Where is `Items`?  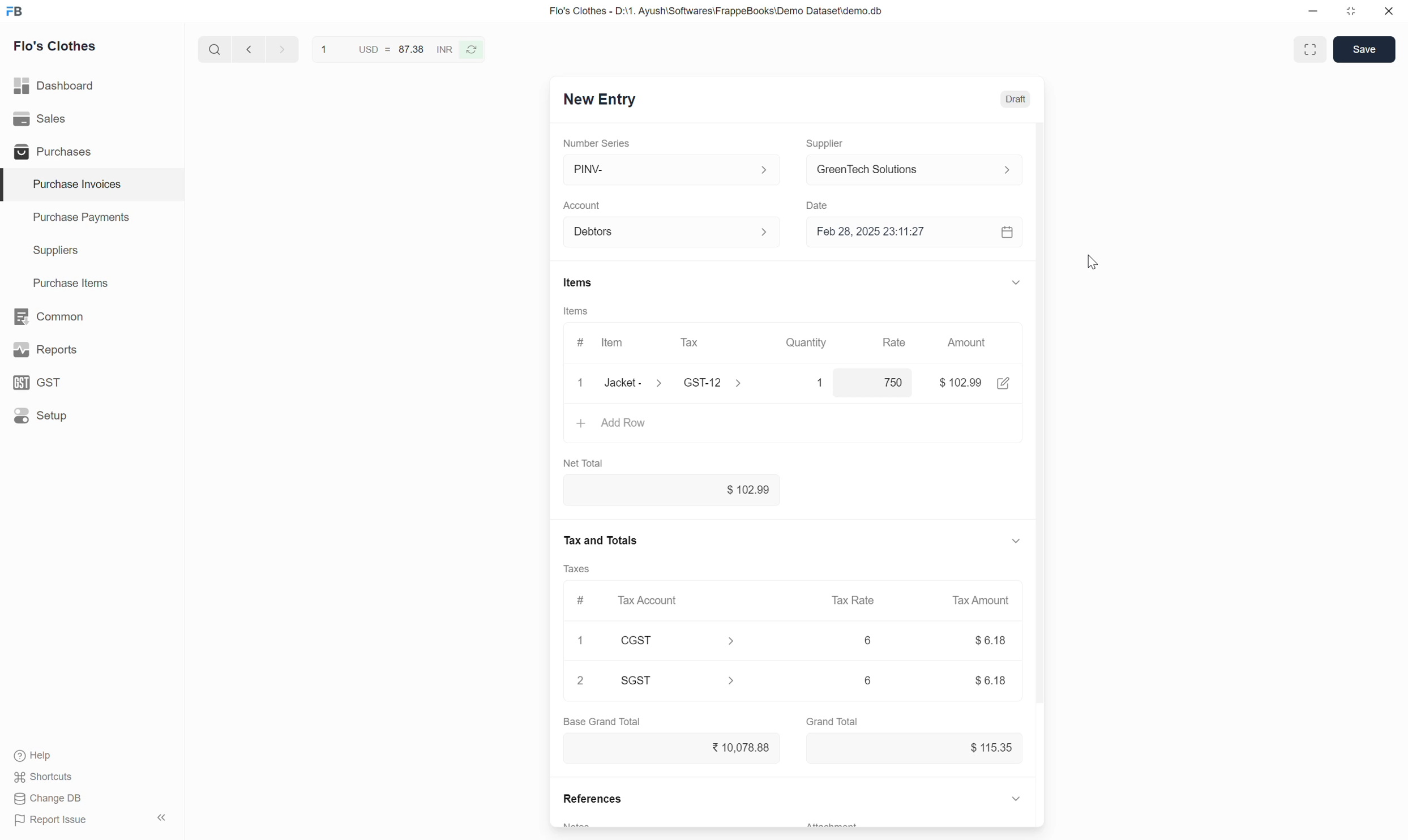 Items is located at coordinates (579, 282).